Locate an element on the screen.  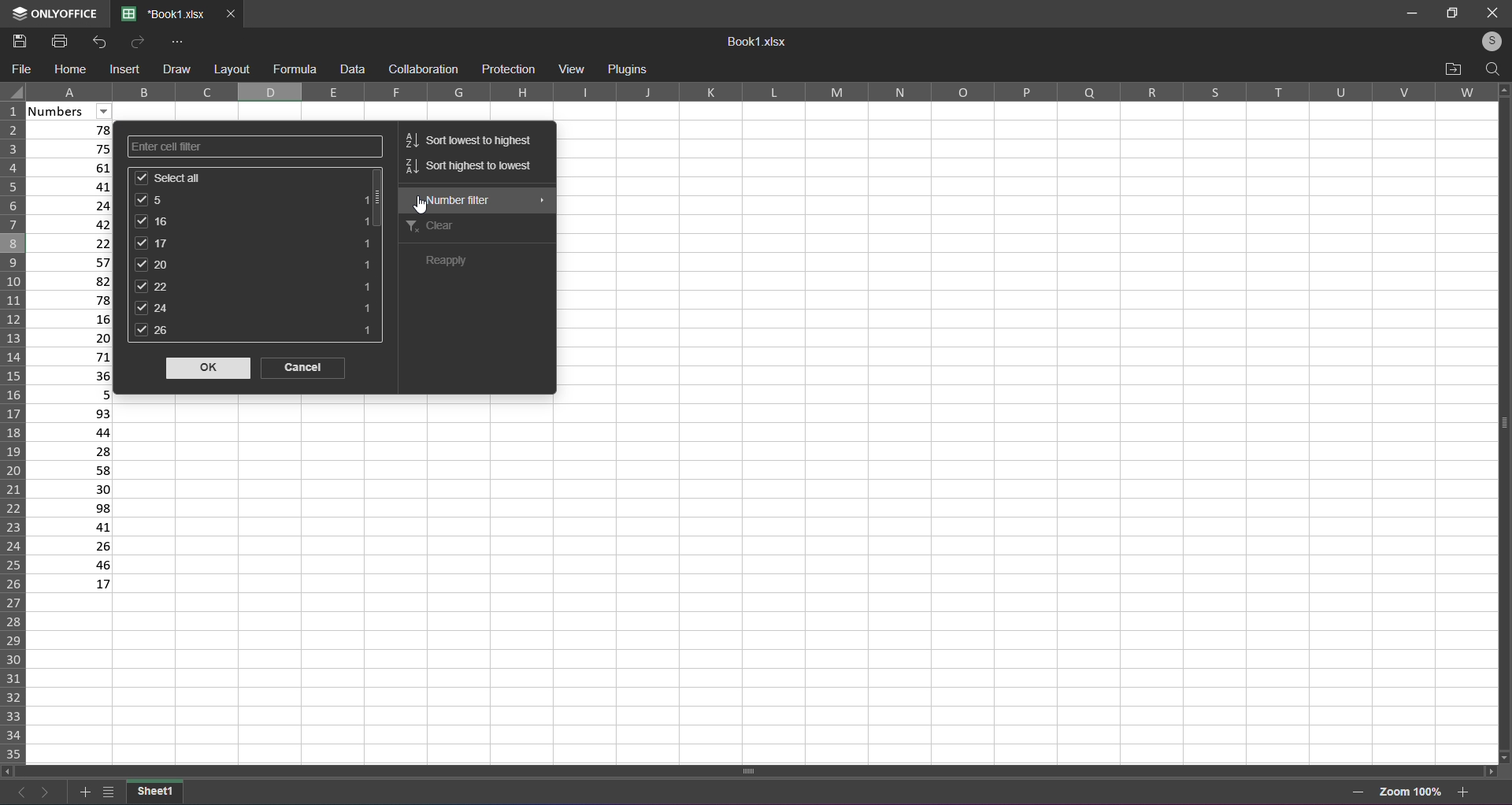
search is located at coordinates (1492, 69).